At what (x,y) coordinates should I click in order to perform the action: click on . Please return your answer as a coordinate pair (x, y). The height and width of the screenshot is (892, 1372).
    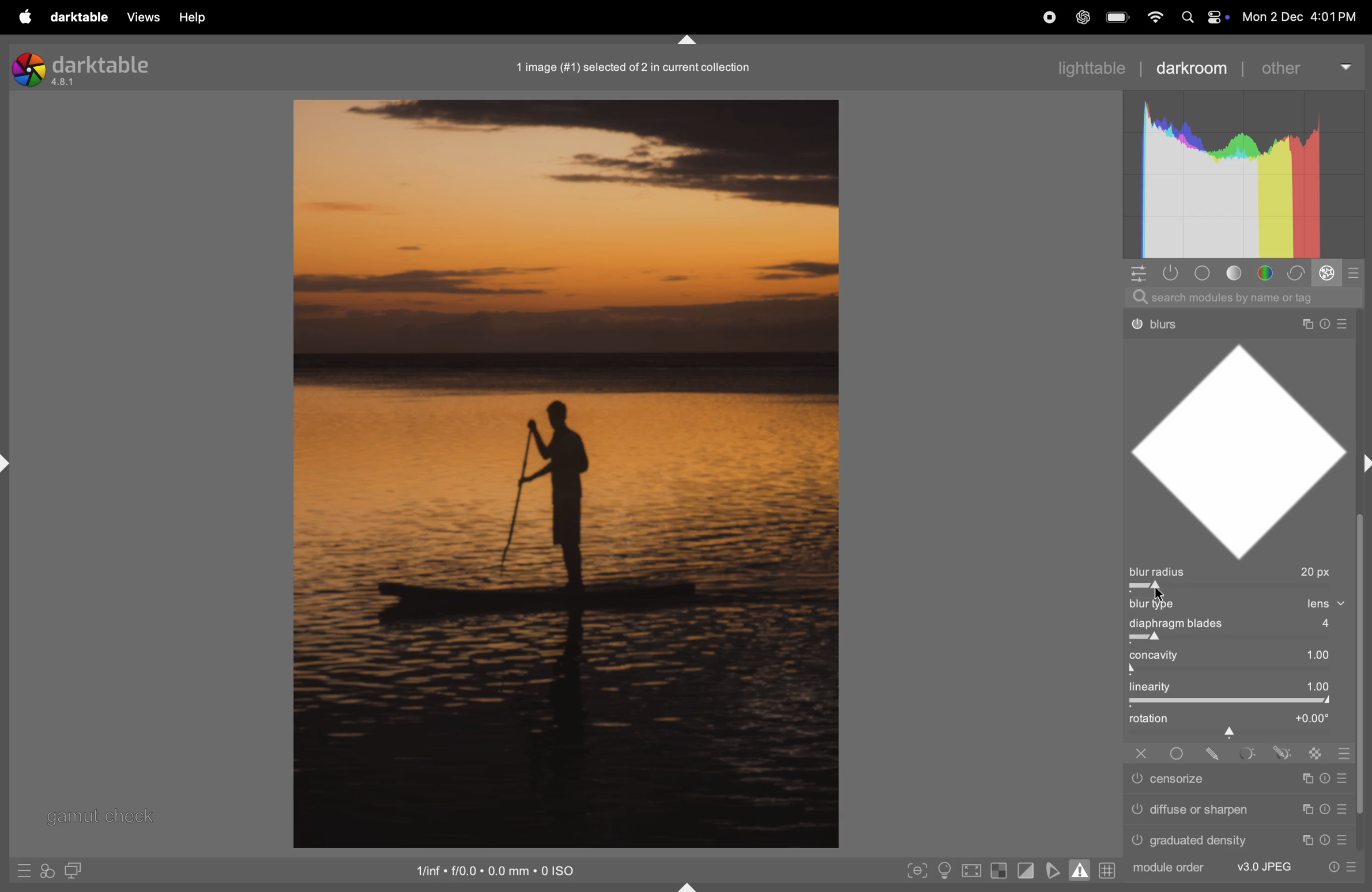
    Looking at the image, I should click on (1284, 753).